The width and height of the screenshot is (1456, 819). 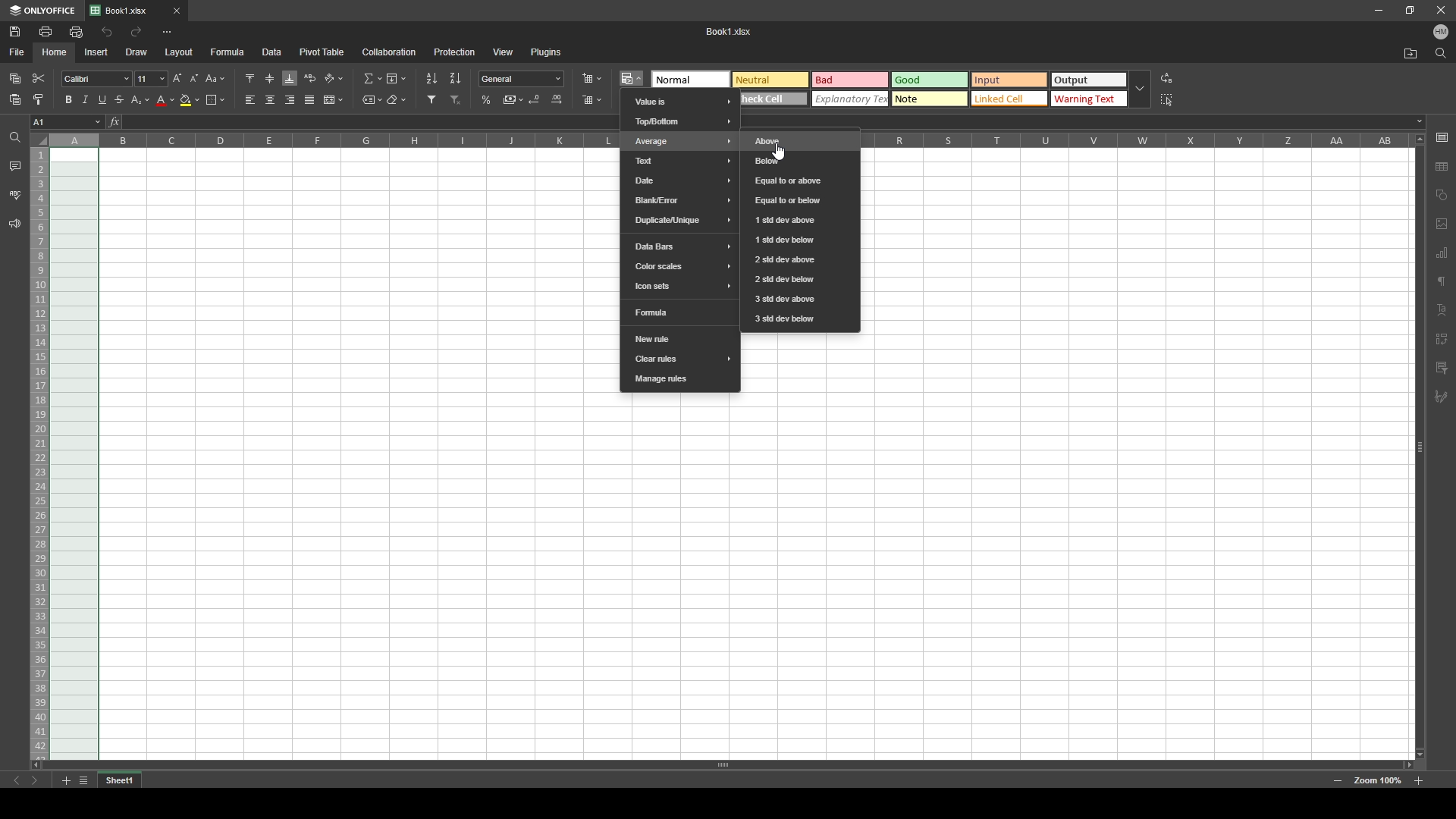 I want to click on image, so click(x=1442, y=224).